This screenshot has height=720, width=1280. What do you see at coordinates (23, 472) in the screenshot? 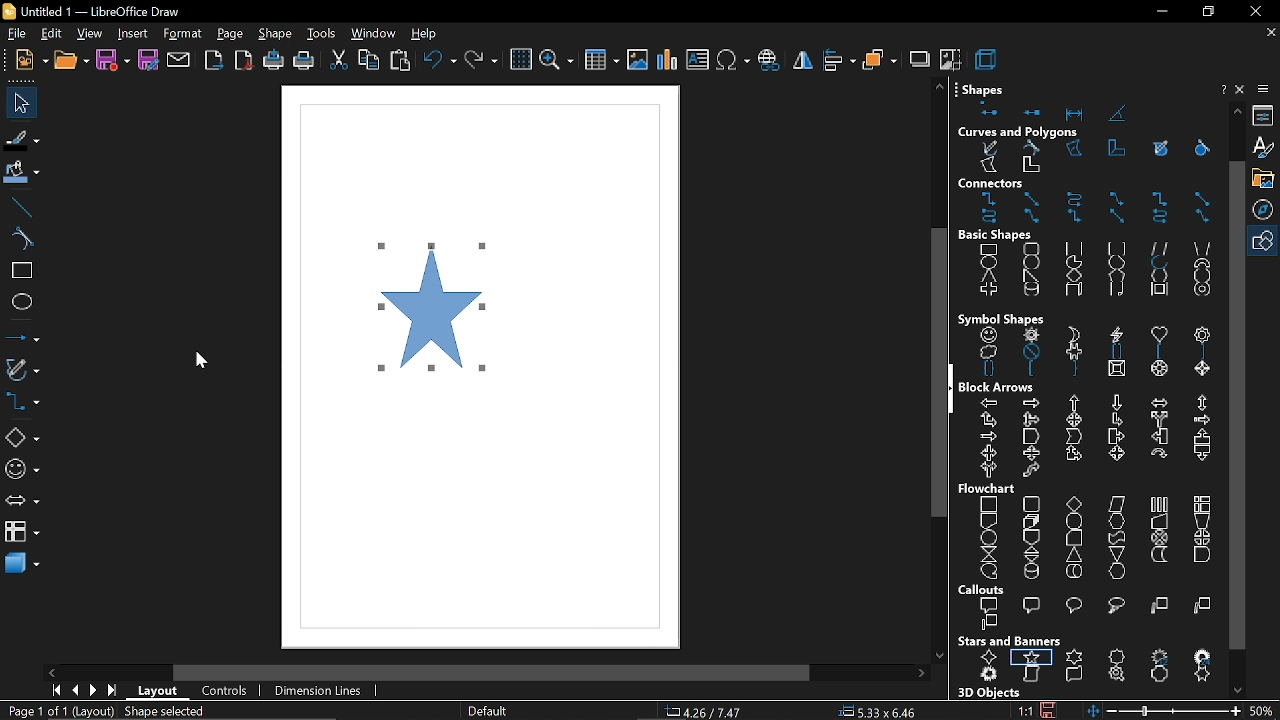
I see `symbol shapes` at bounding box center [23, 472].